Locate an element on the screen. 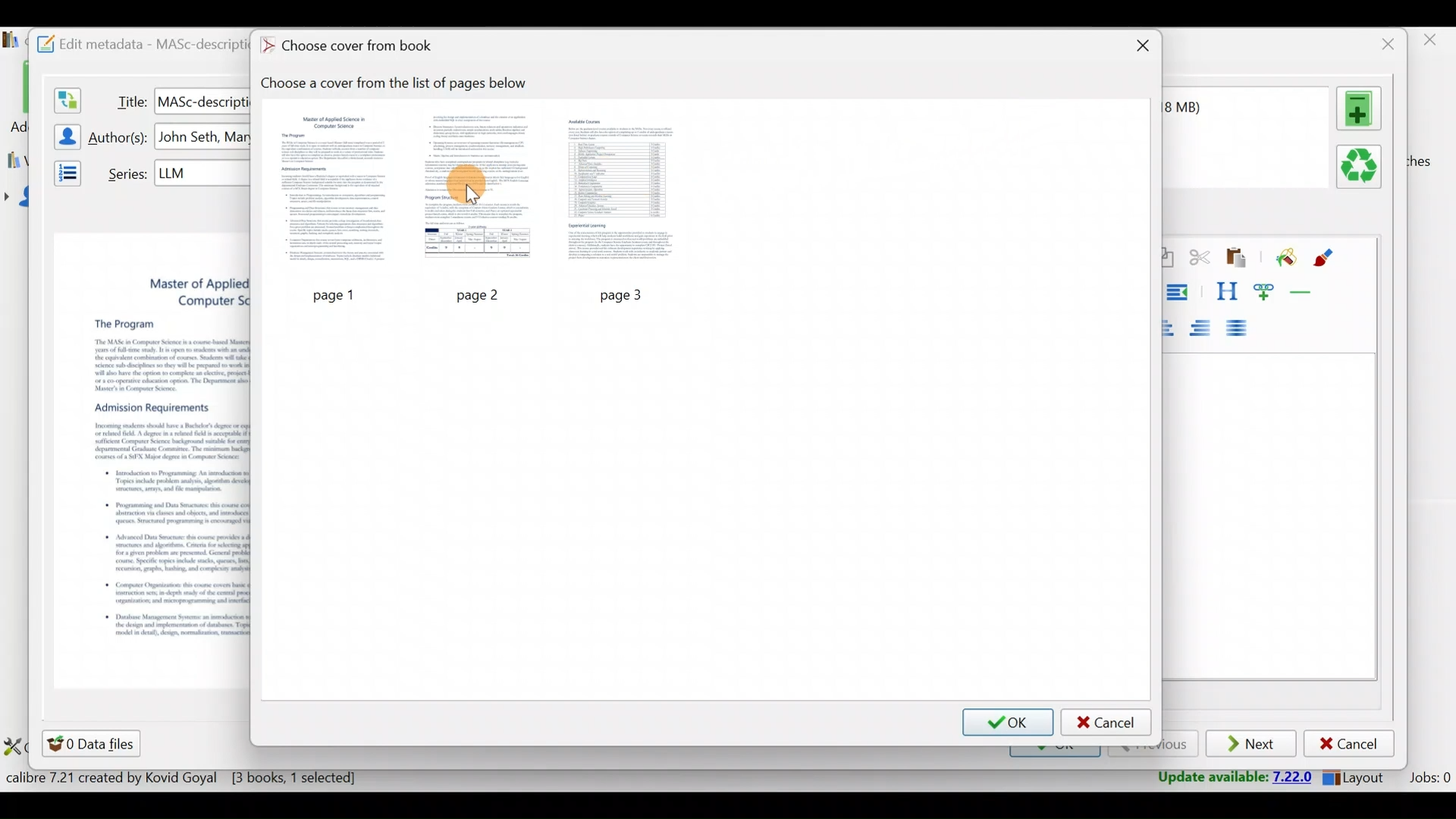  Books count is located at coordinates (185, 780).